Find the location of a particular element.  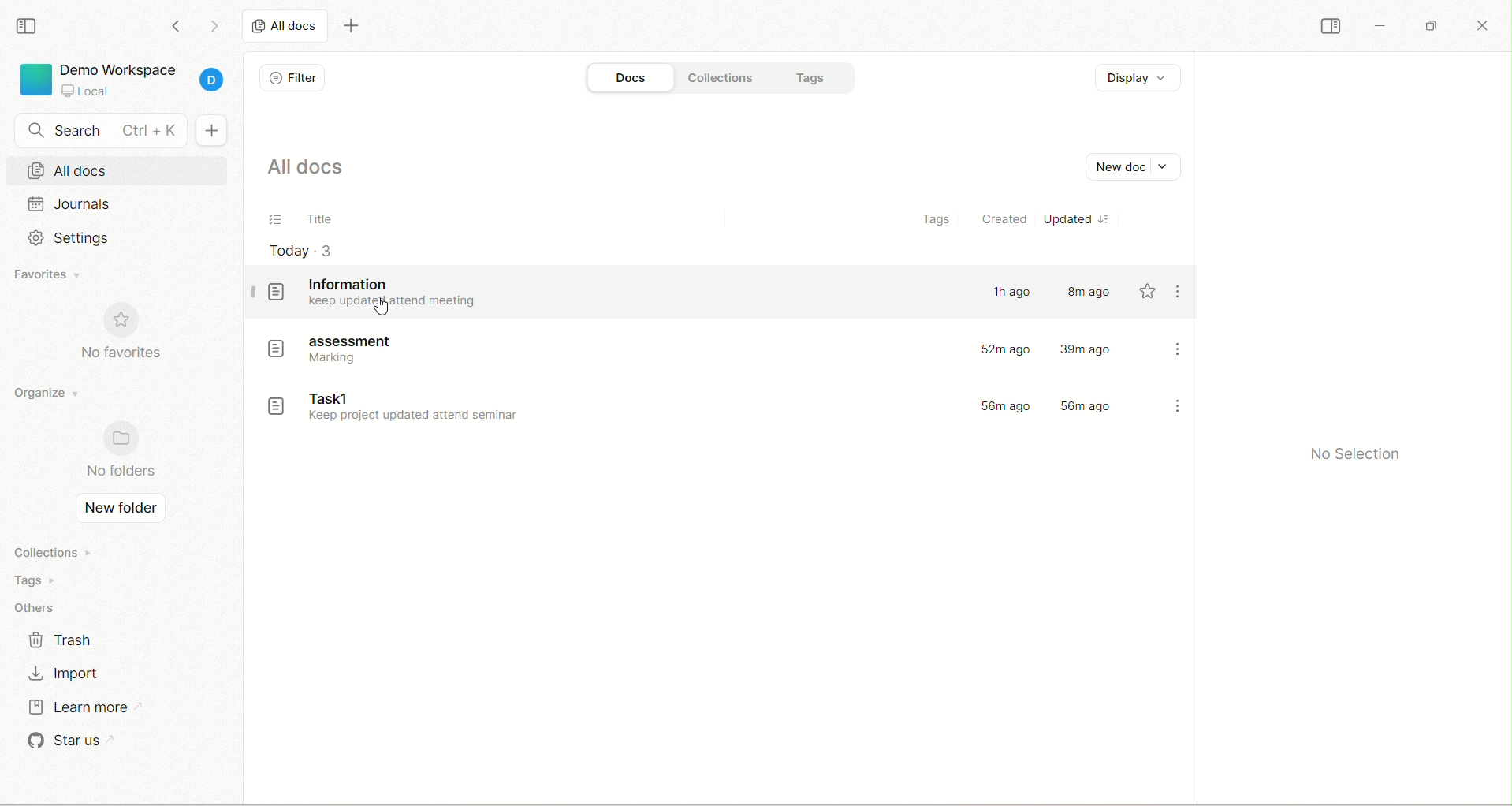

maximize is located at coordinates (1434, 22).